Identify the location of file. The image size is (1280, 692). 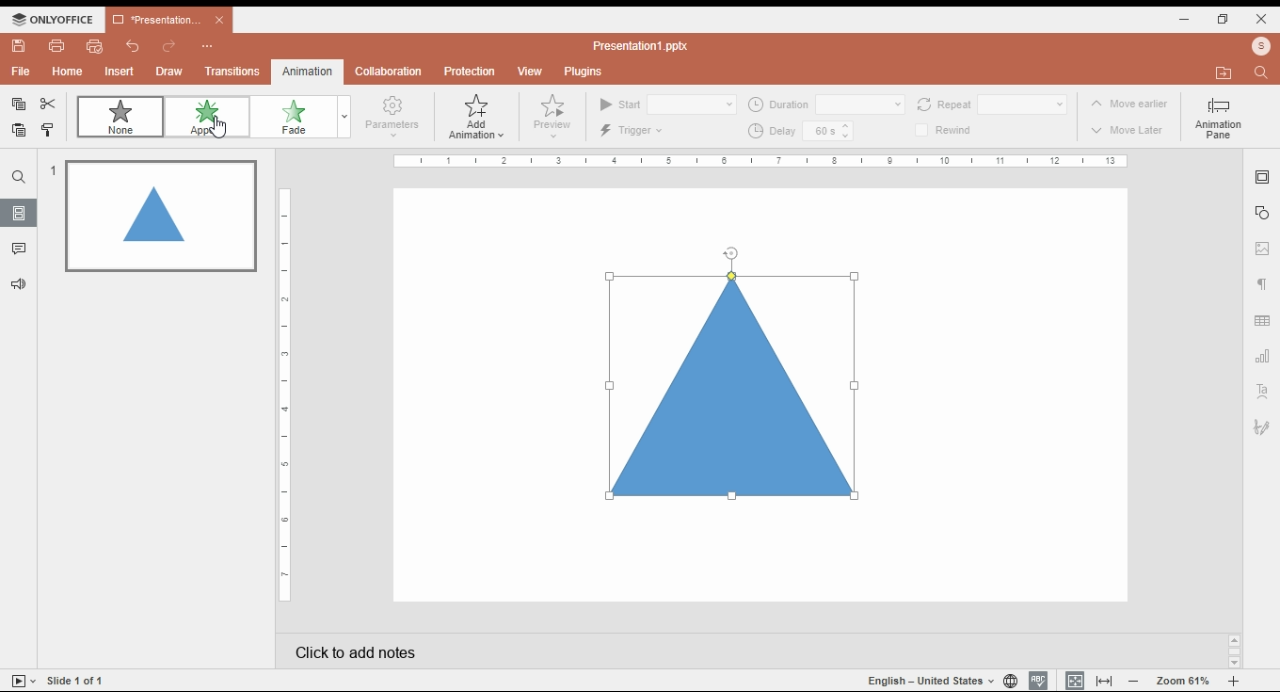
(21, 71).